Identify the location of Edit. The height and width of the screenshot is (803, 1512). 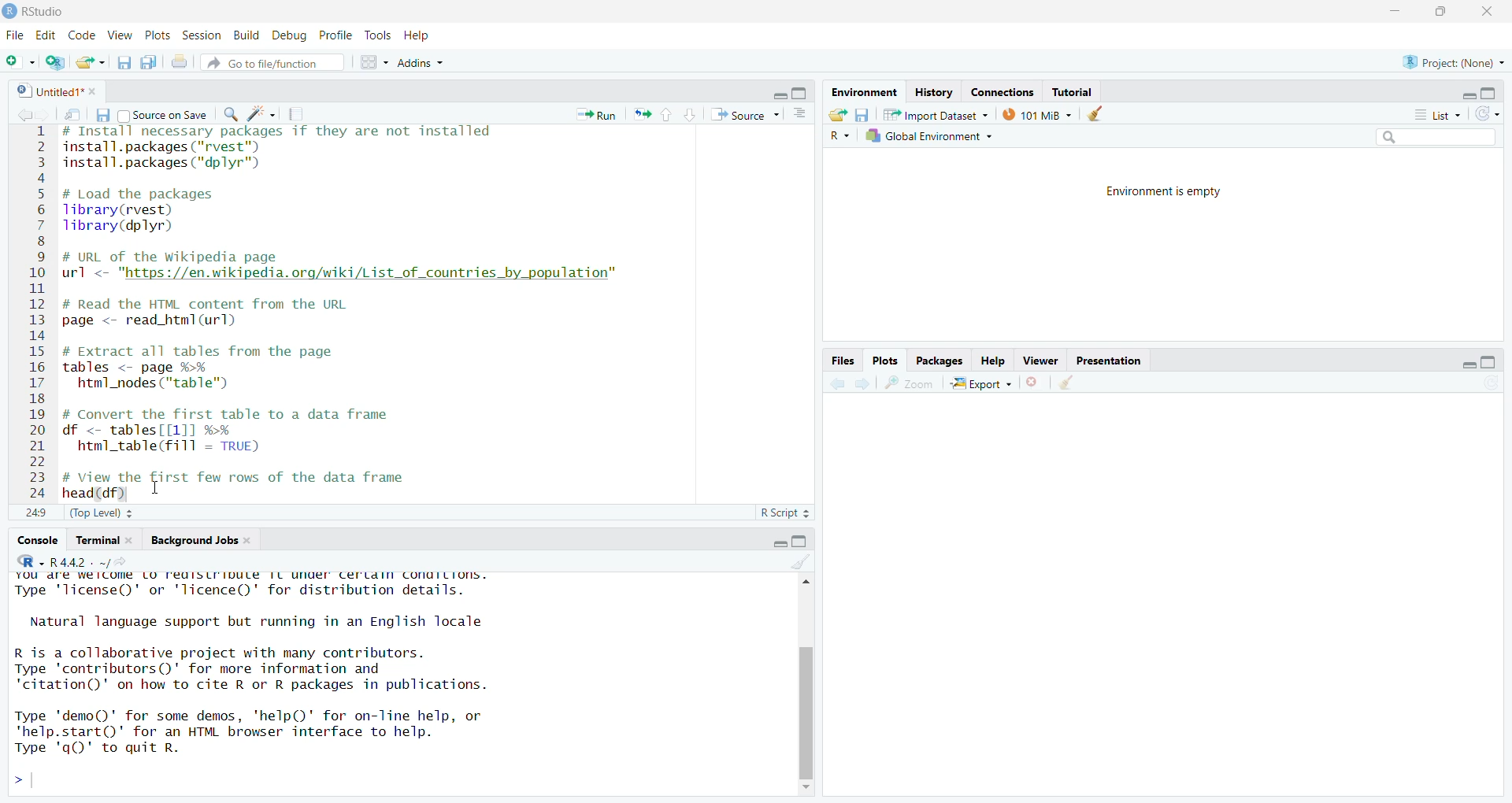
(45, 35).